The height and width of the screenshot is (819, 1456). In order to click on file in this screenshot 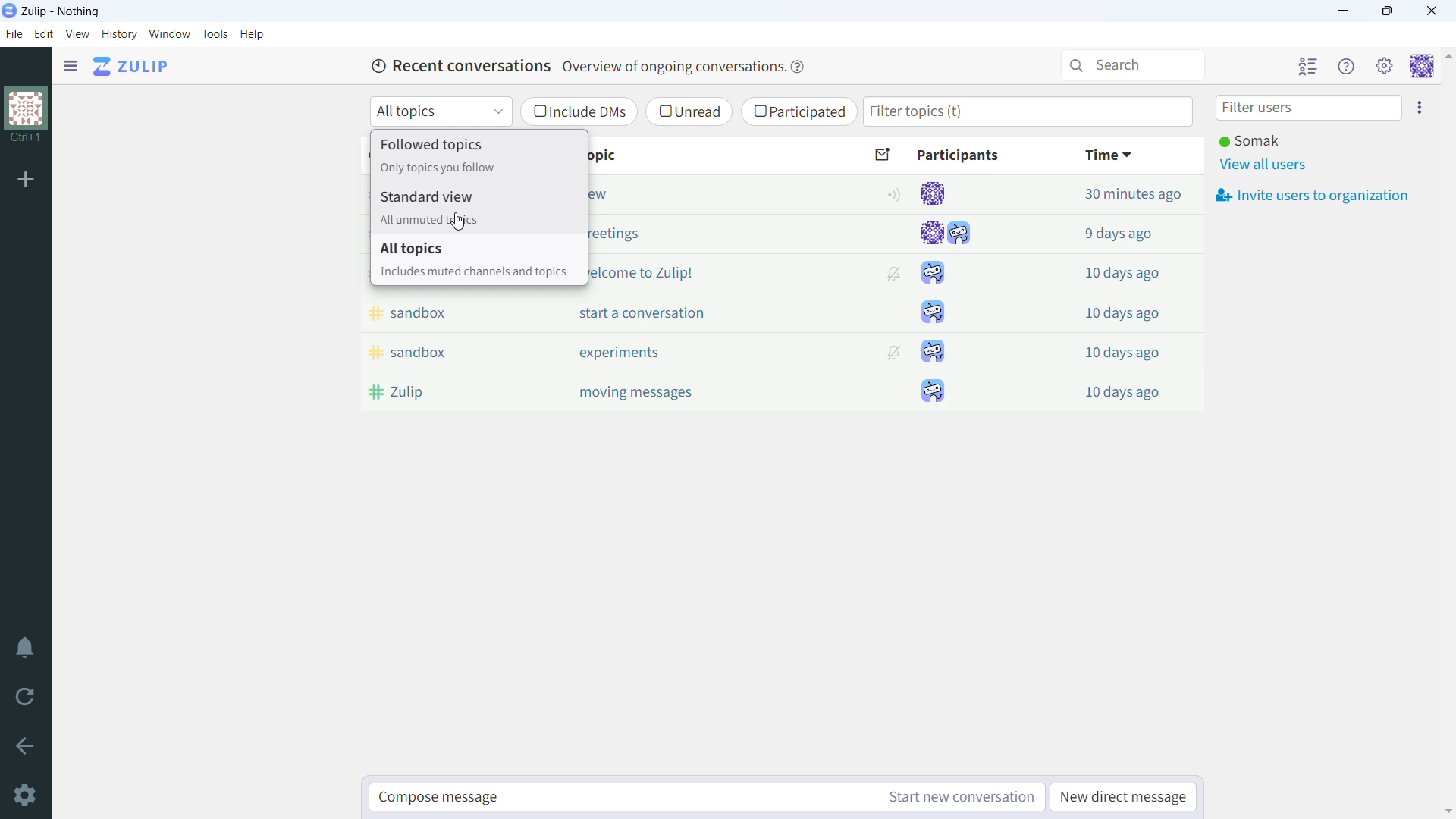, I will do `click(14, 34)`.